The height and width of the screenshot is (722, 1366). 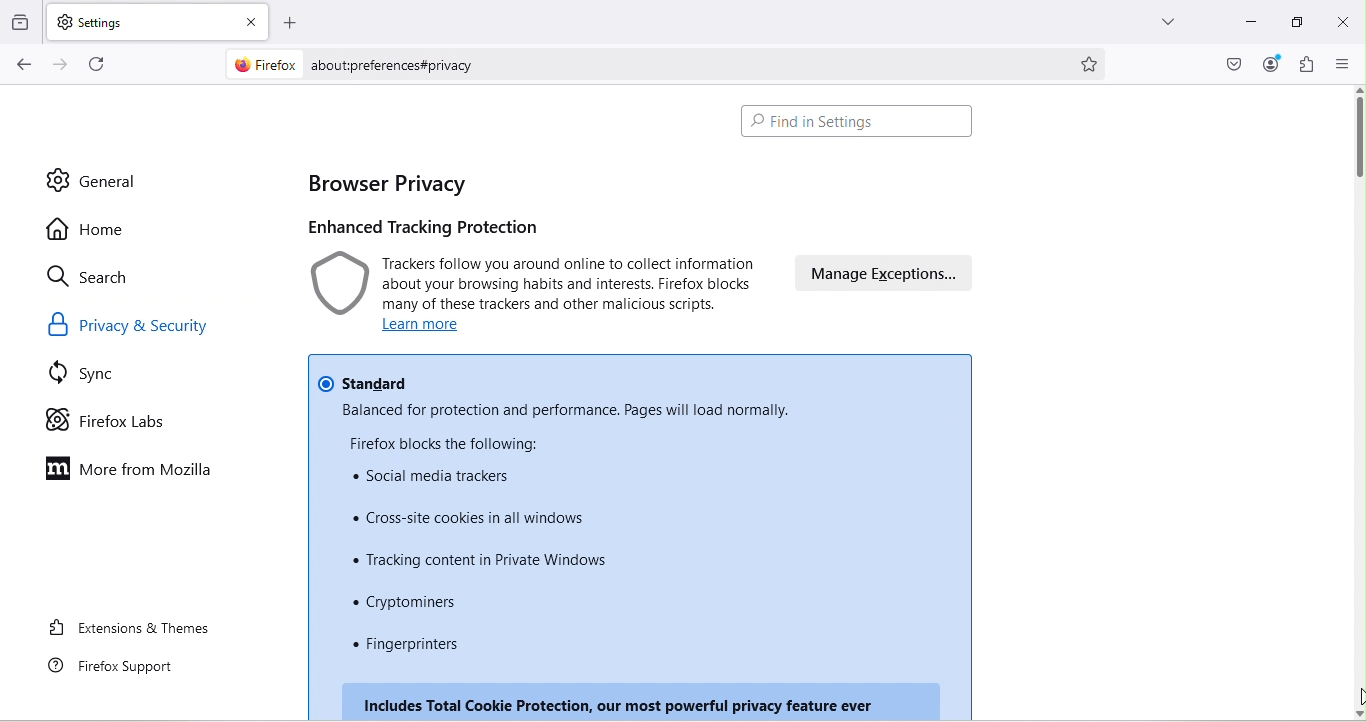 I want to click on More from Mozilla, so click(x=132, y=470).